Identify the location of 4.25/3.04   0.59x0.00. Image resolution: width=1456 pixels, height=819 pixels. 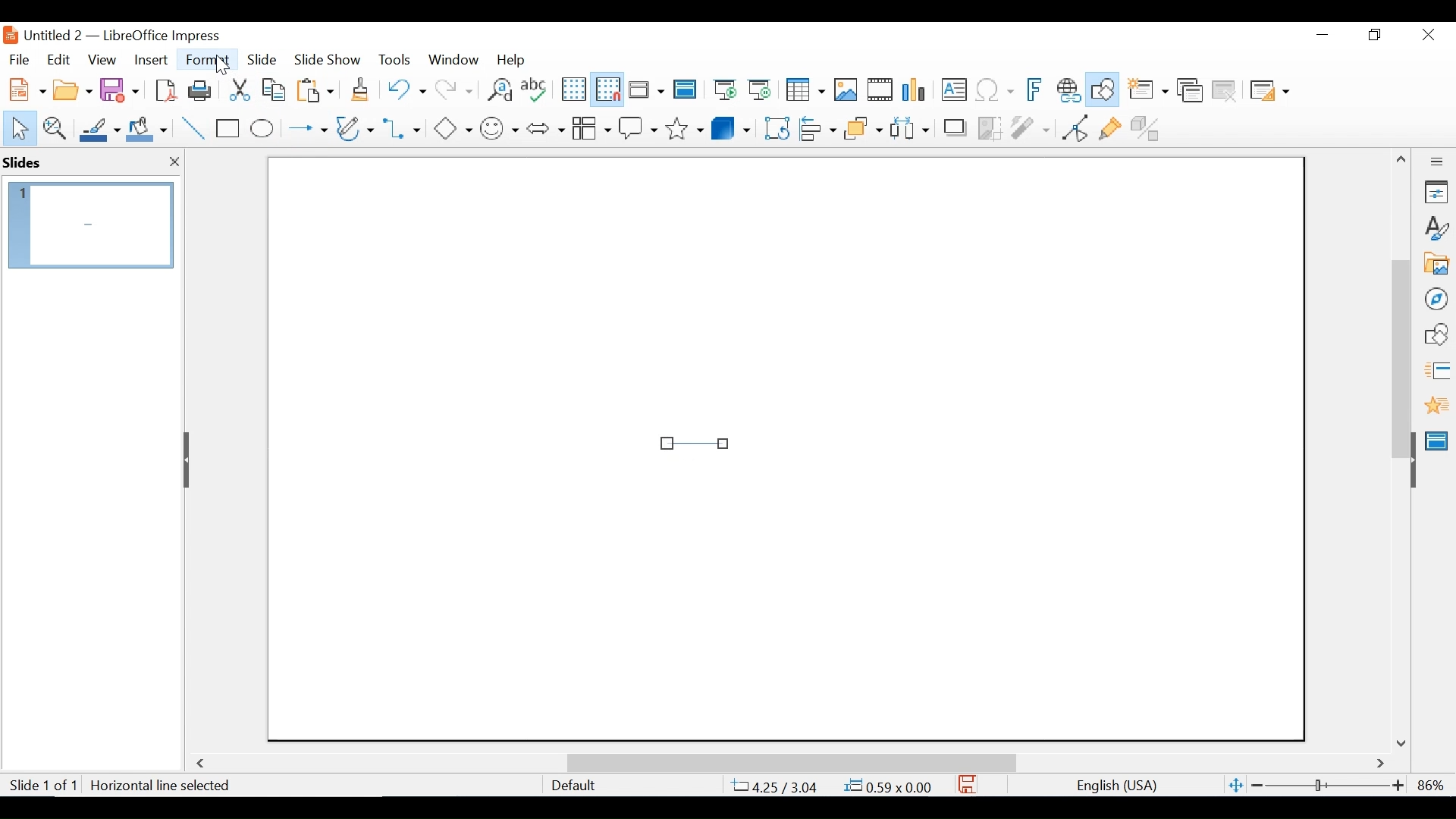
(833, 786).